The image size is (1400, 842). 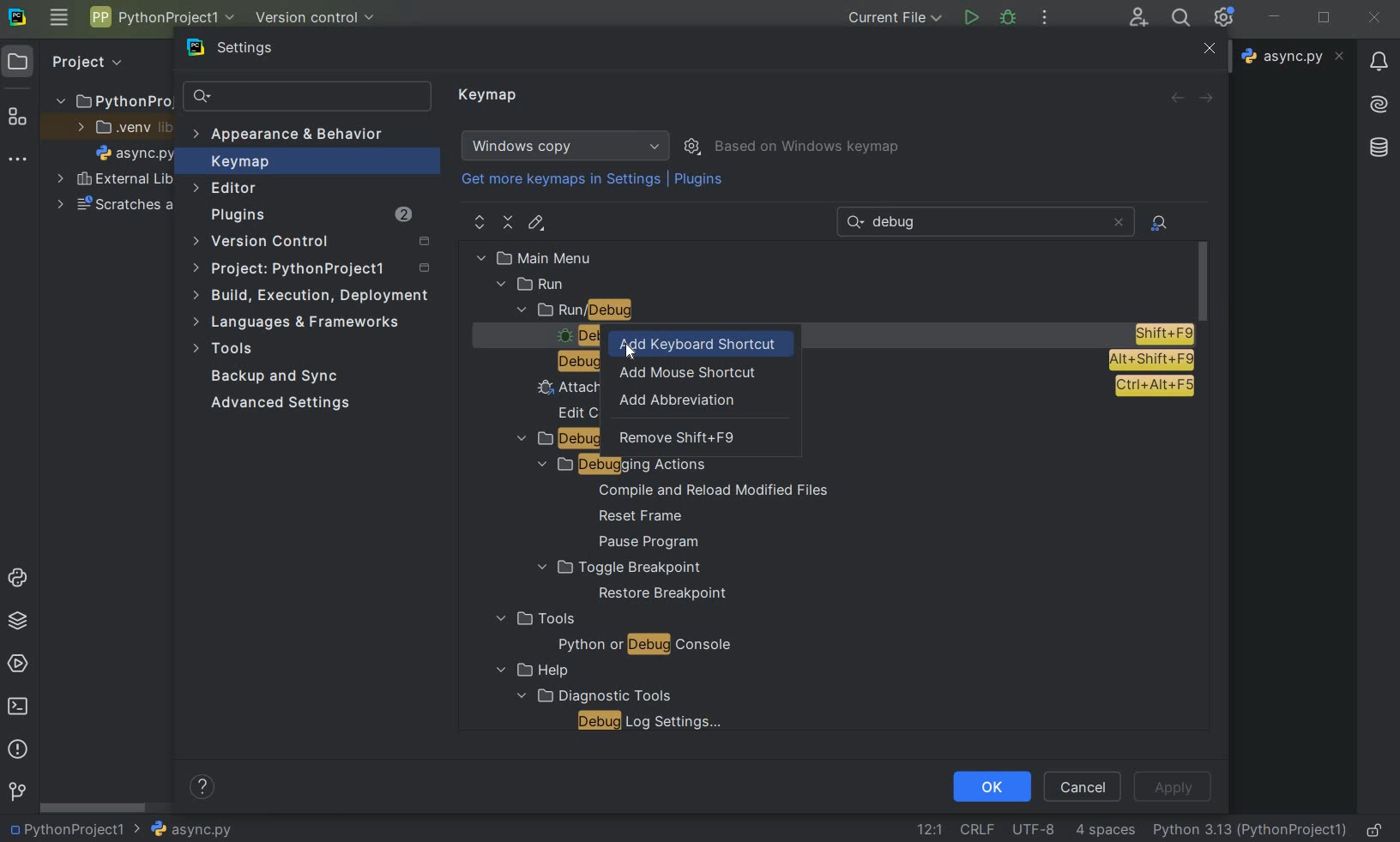 I want to click on add mouse shortcut, so click(x=685, y=372).